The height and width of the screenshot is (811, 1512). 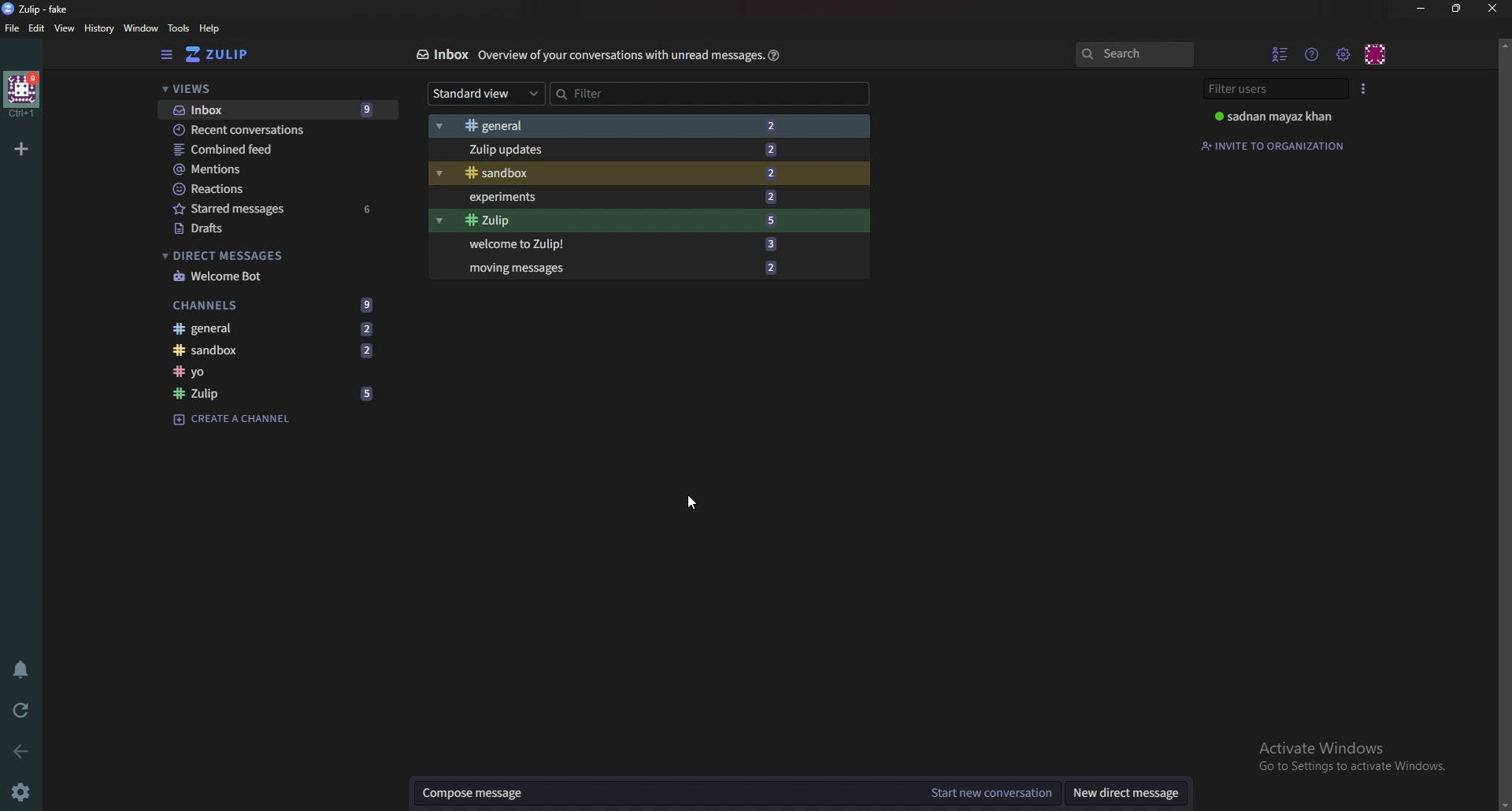 I want to click on direct messages, so click(x=258, y=255).